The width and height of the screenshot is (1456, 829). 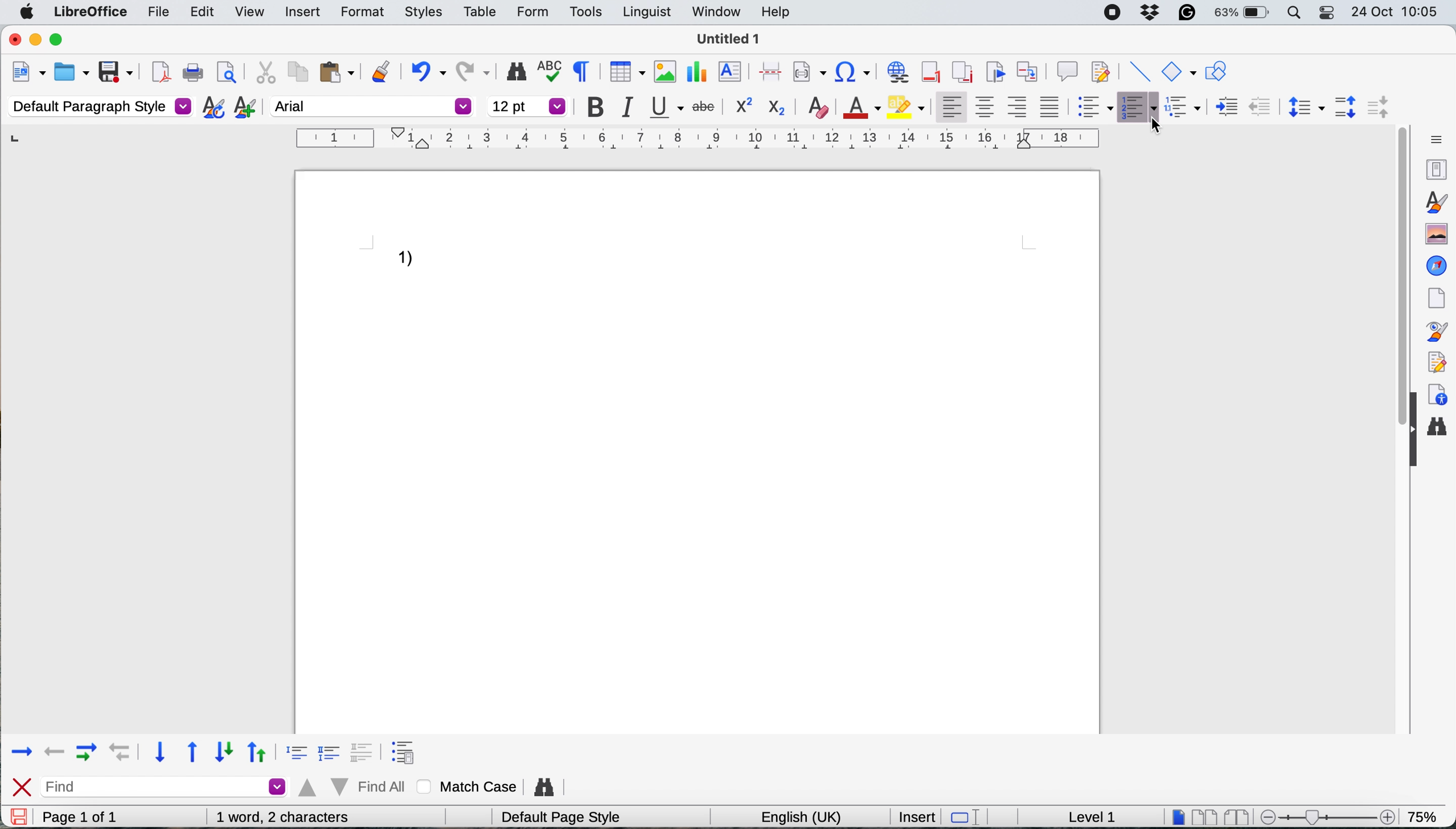 What do you see at coordinates (776, 107) in the screenshot?
I see `subscript` at bounding box center [776, 107].